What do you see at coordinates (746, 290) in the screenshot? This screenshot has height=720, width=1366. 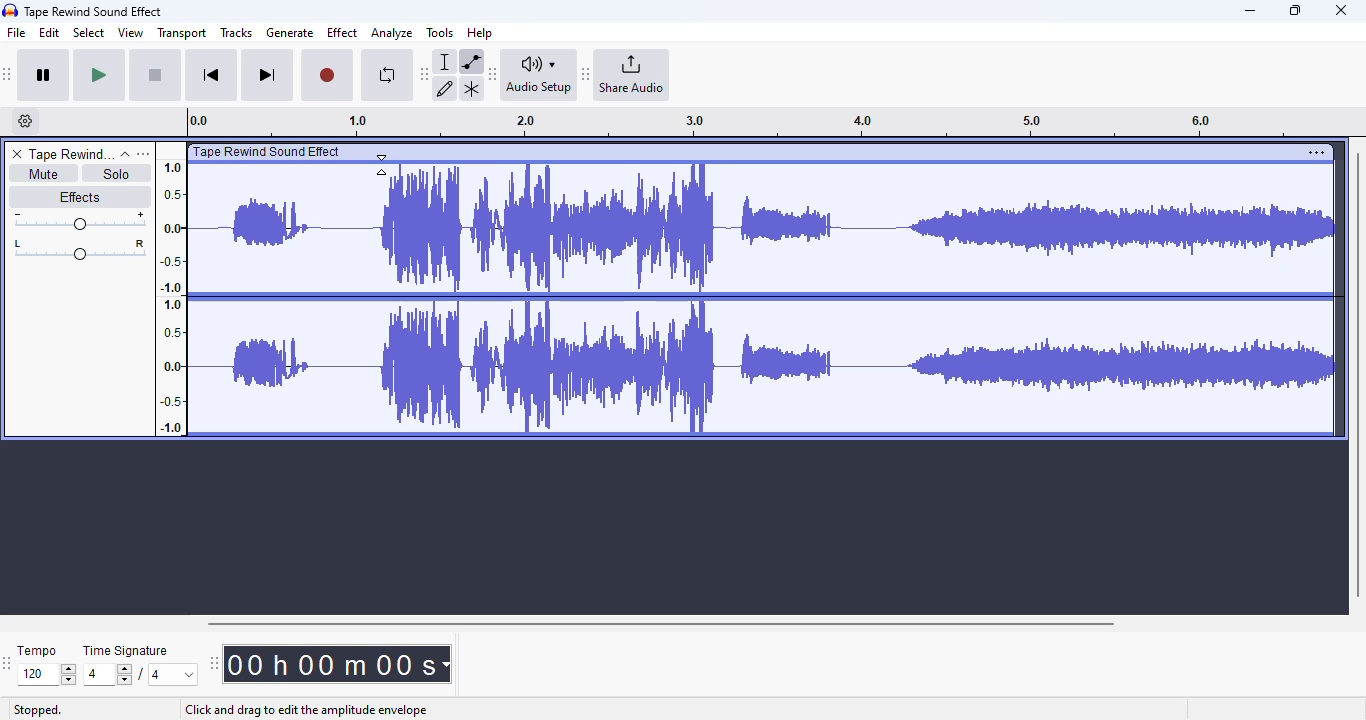 I see `audio track` at bounding box center [746, 290].